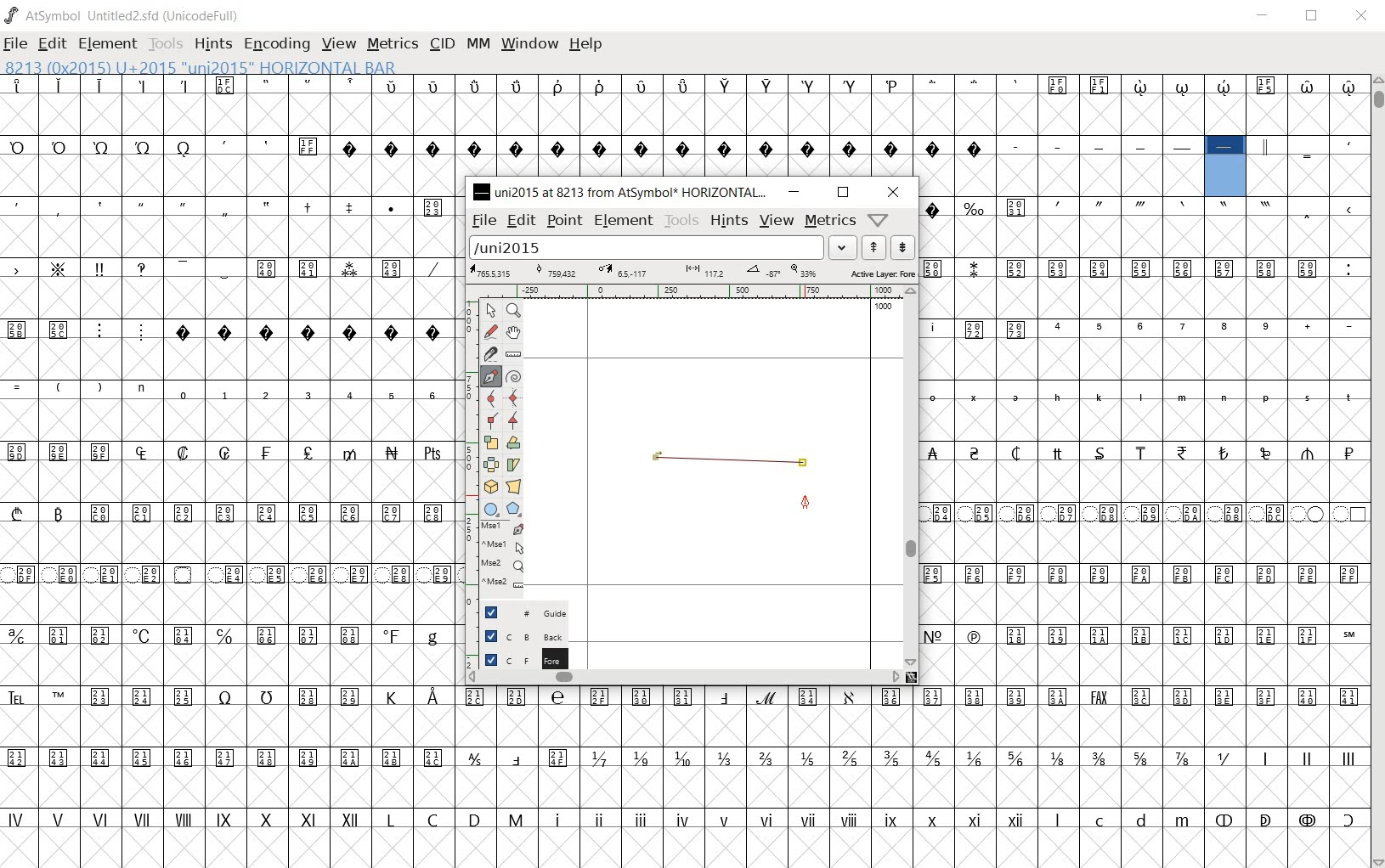 This screenshot has height=868, width=1385. What do you see at coordinates (483, 222) in the screenshot?
I see `file` at bounding box center [483, 222].